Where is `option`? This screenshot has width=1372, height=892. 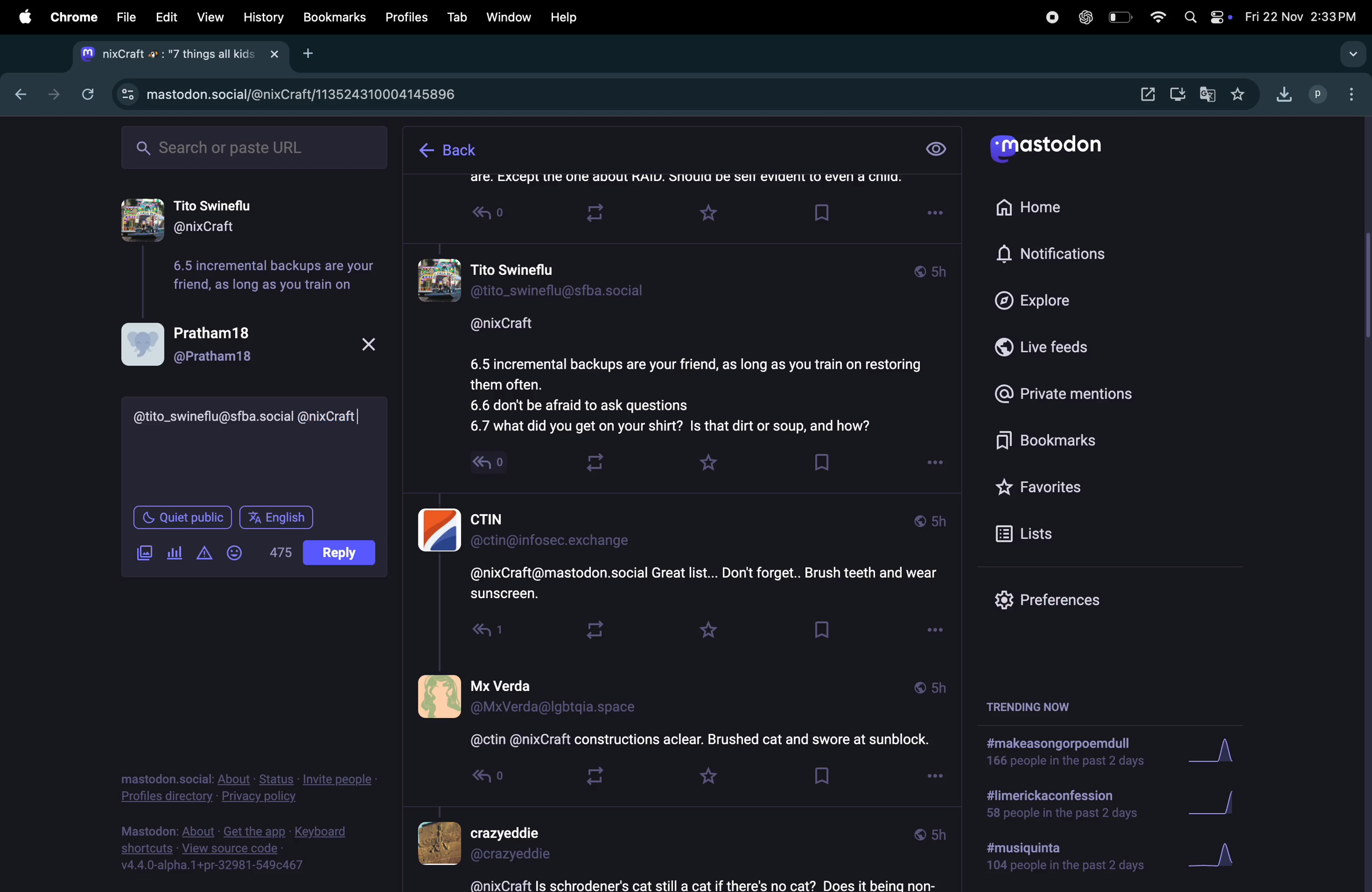
option is located at coordinates (1349, 92).